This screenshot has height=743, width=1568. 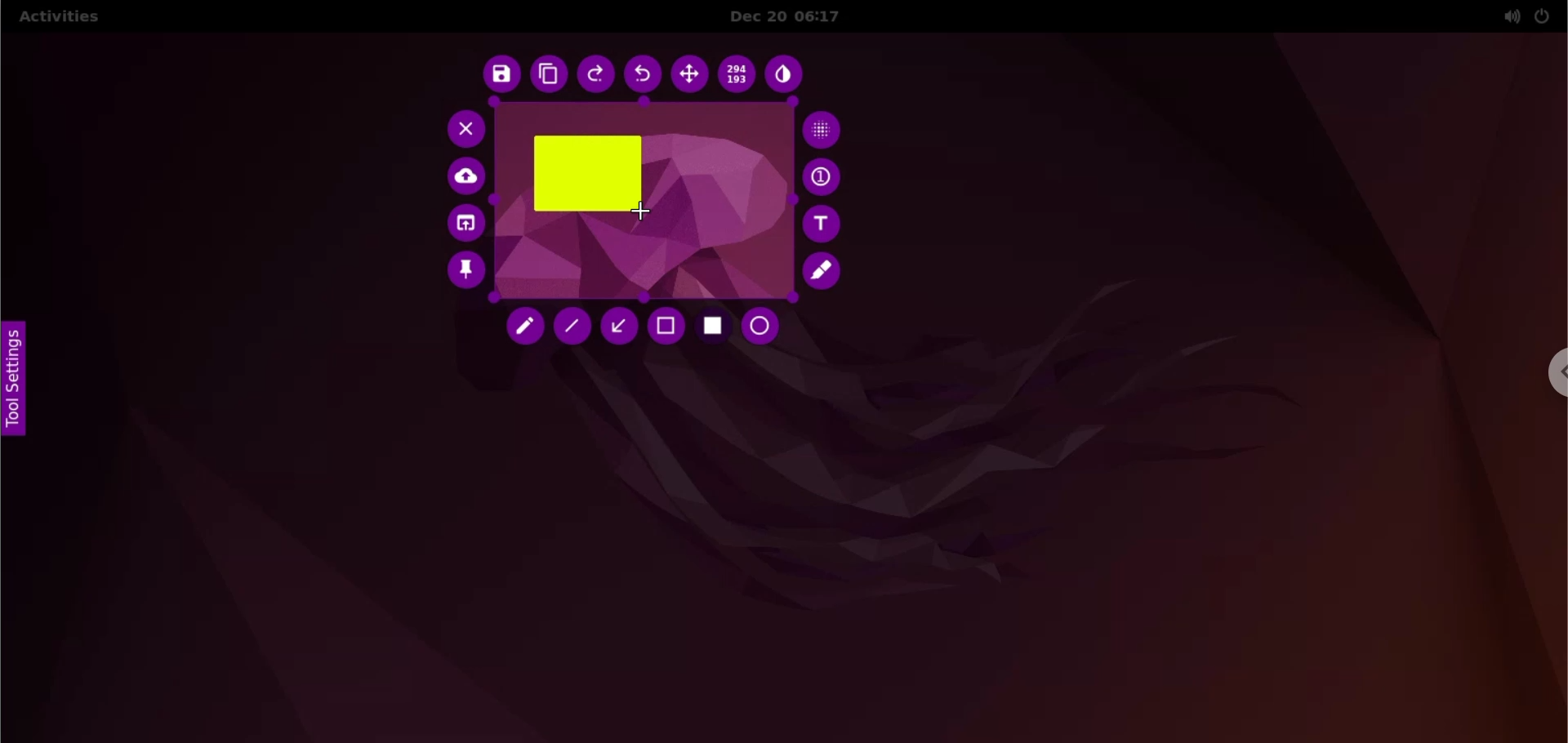 I want to click on selection tool, so click(x=667, y=327).